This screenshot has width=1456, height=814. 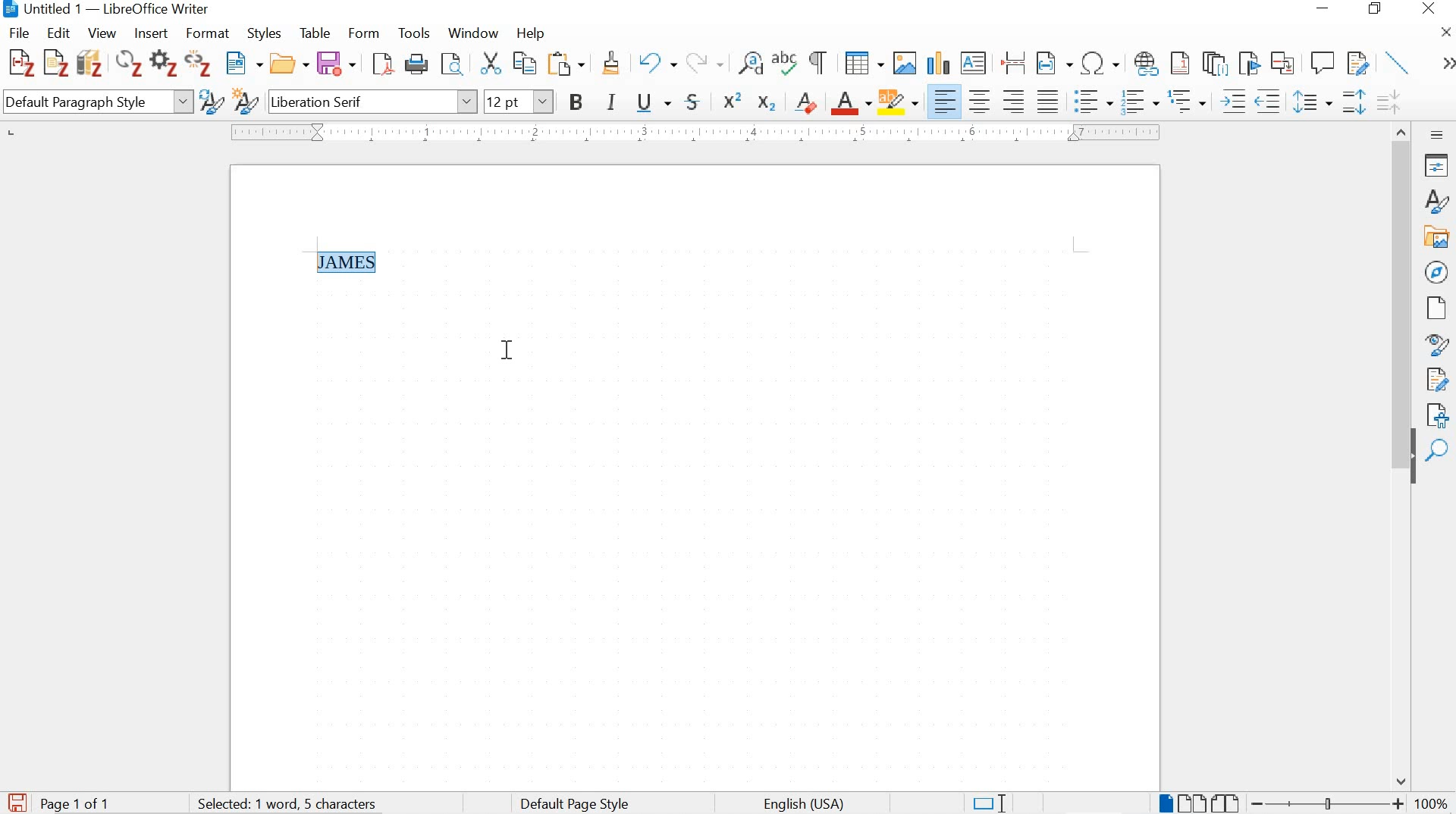 I want to click on toggle ordered list, so click(x=1138, y=102).